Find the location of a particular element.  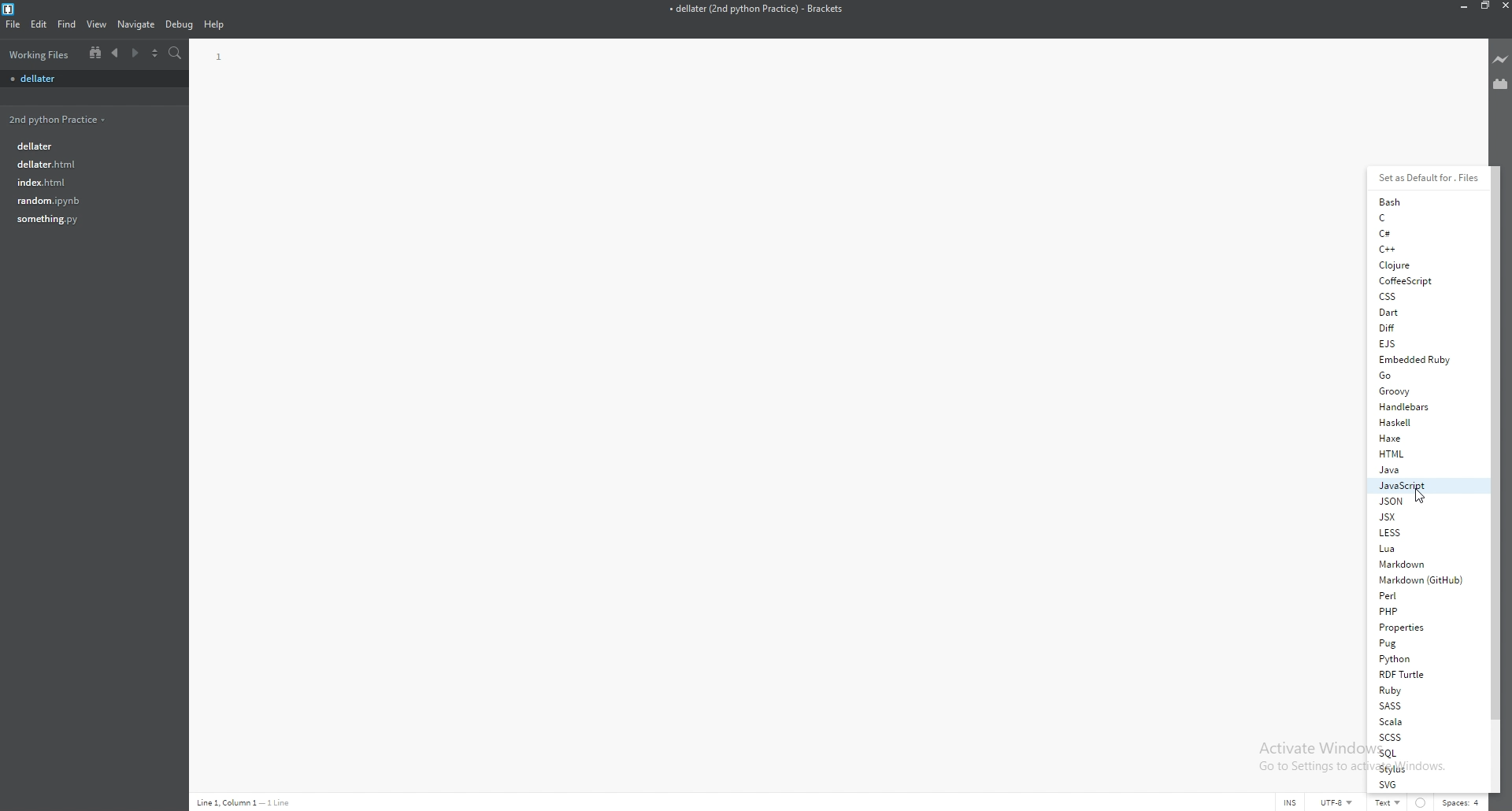

lua is located at coordinates (1421, 548).